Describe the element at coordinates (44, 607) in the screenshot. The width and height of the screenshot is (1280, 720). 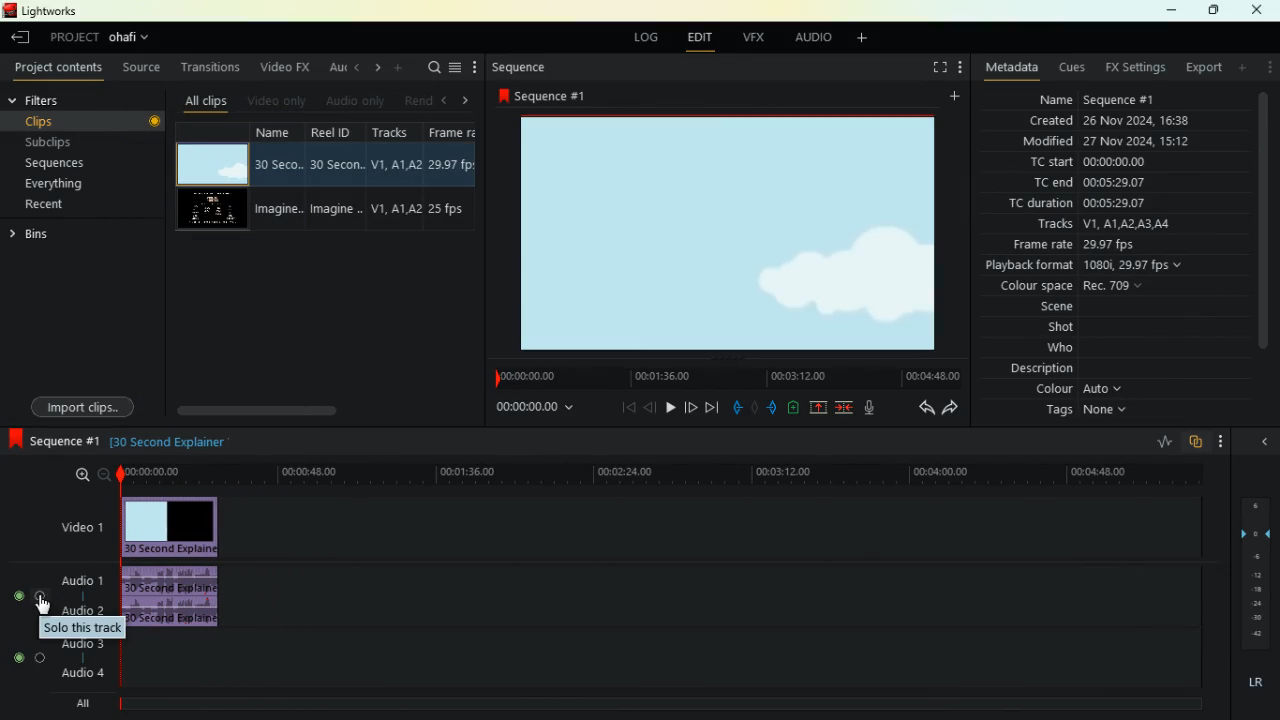
I see `cursor` at that location.